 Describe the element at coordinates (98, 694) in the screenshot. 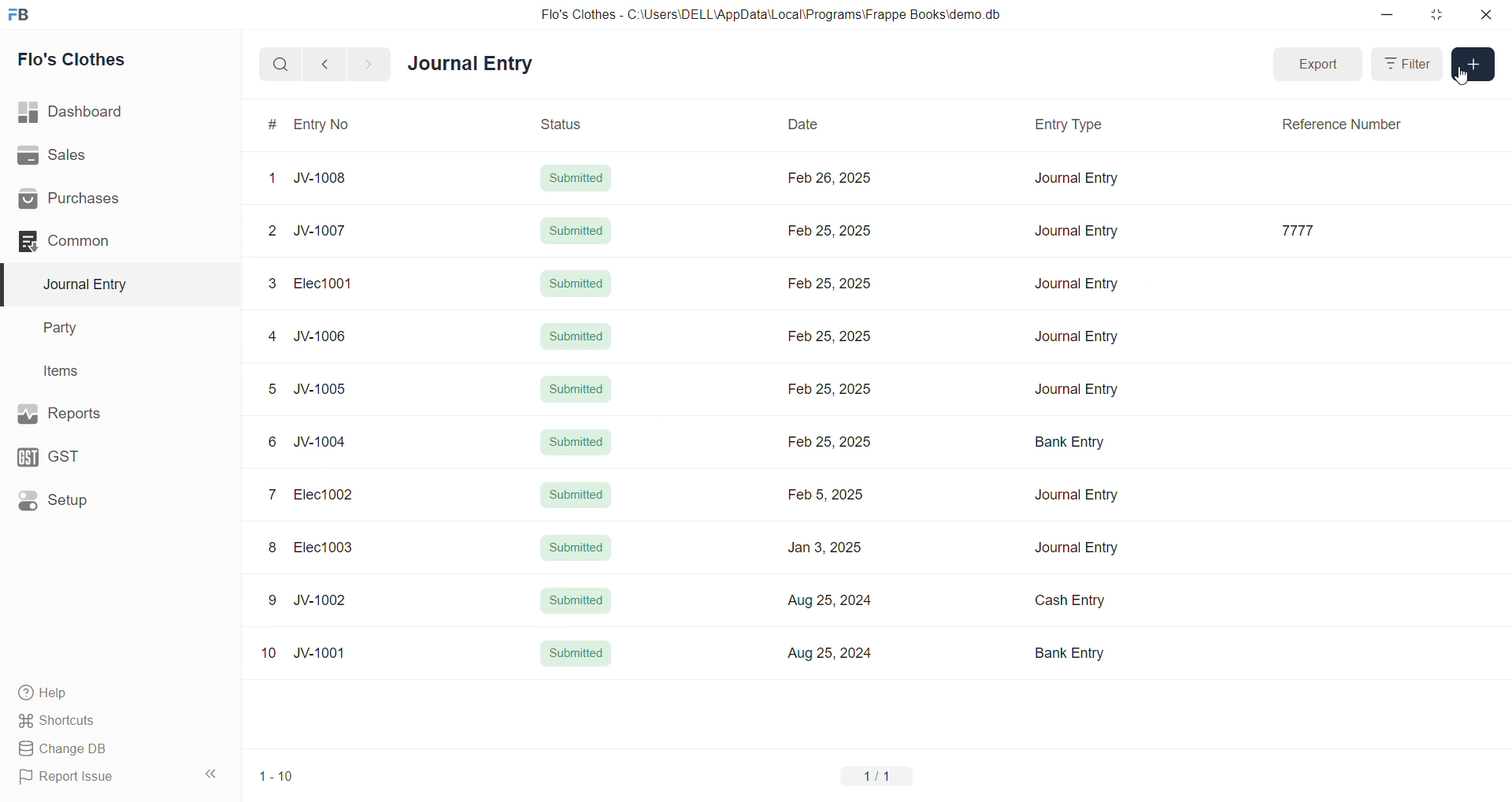

I see `Help` at that location.